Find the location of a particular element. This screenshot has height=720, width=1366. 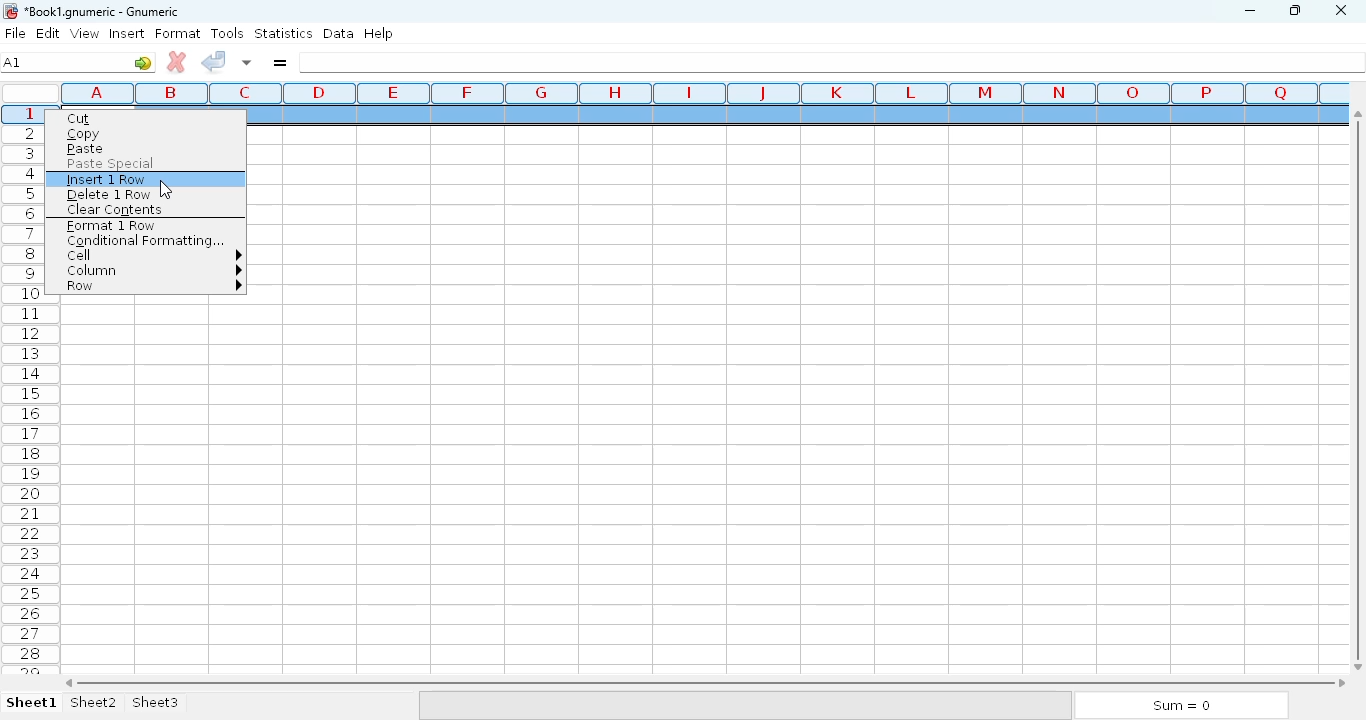

A1 is located at coordinates (12, 62).